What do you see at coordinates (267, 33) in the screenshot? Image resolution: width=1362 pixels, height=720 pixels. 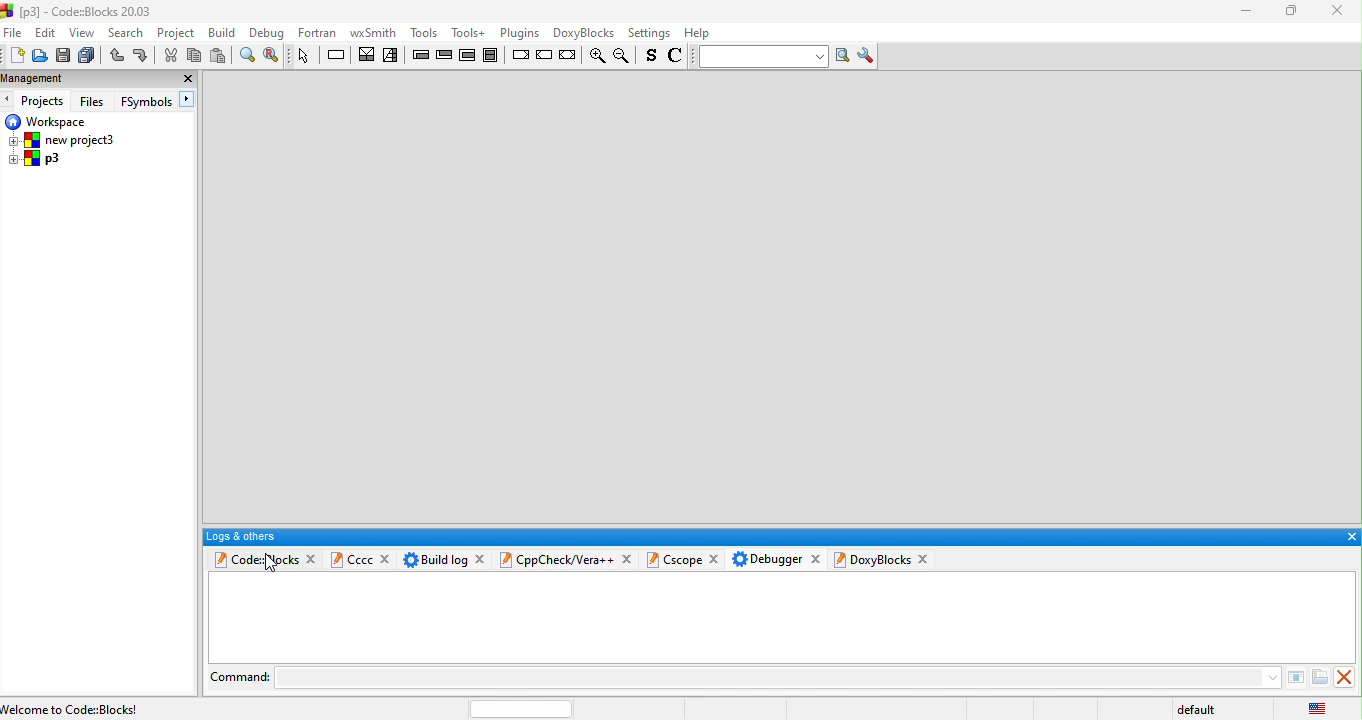 I see `Debug` at bounding box center [267, 33].